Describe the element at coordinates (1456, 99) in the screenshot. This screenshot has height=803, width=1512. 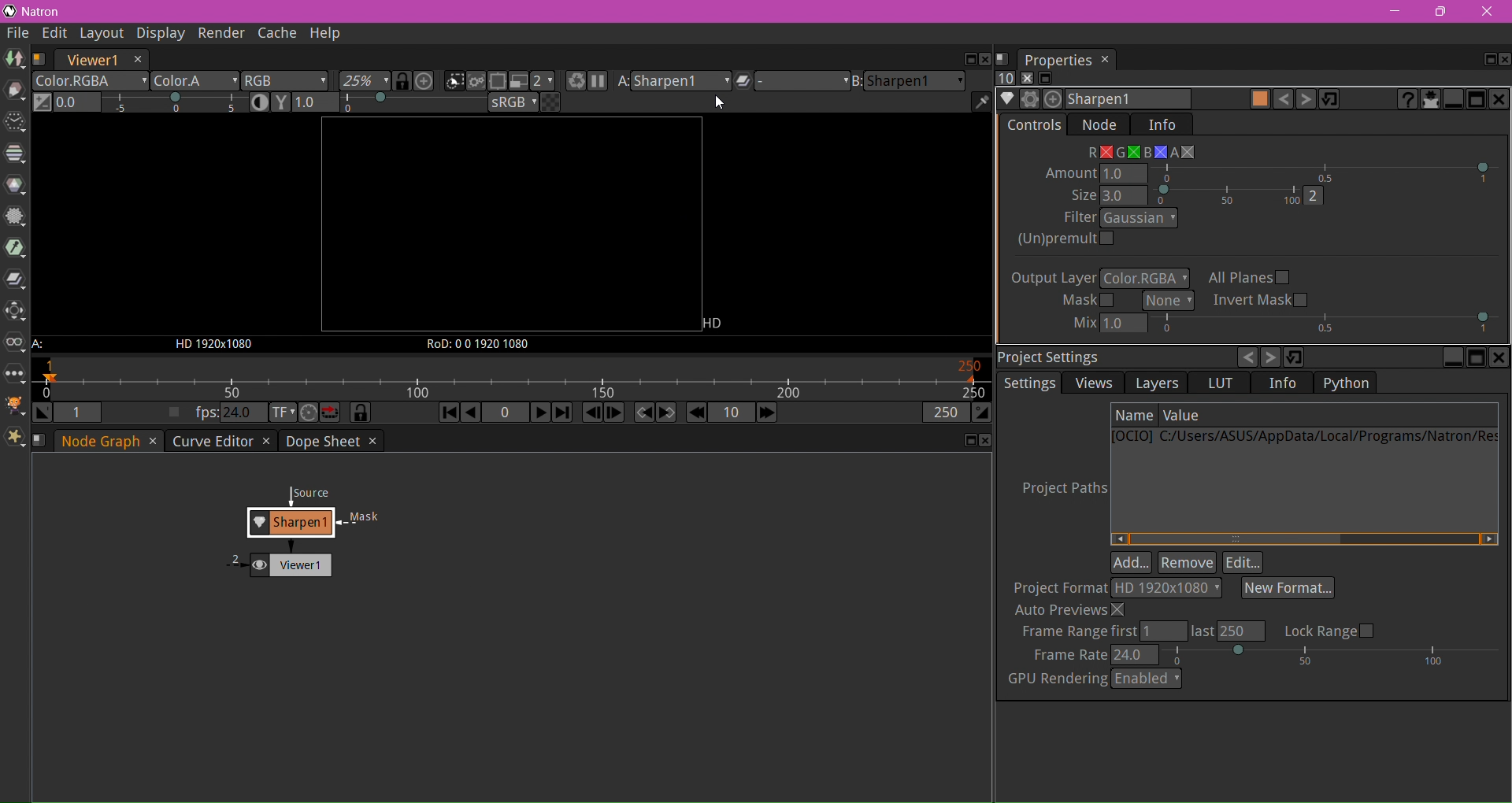
I see `Minimize pane` at that location.